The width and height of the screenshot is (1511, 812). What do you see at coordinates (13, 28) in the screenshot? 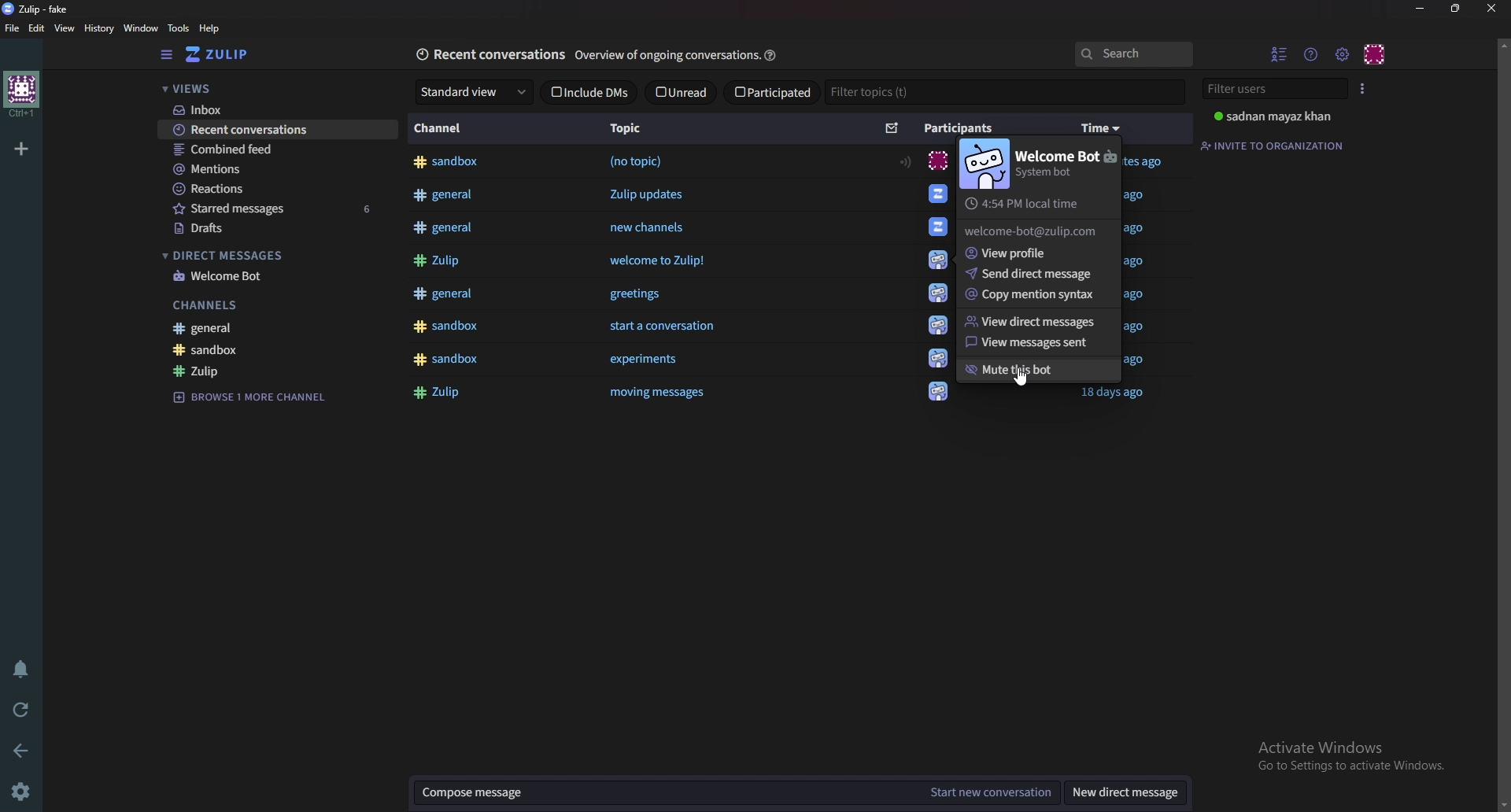
I see `file` at bounding box center [13, 28].